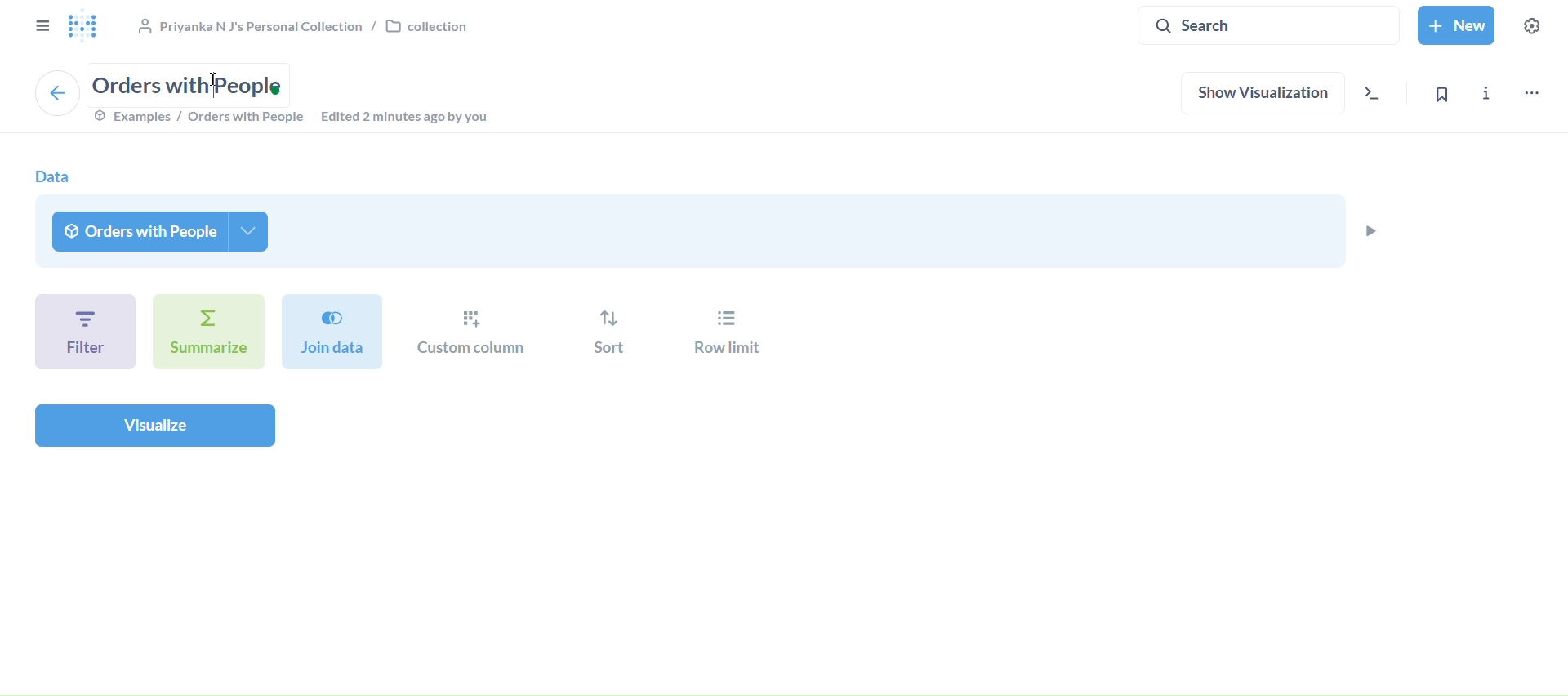 The image size is (1568, 696). What do you see at coordinates (154, 425) in the screenshot?
I see `visualize` at bounding box center [154, 425].